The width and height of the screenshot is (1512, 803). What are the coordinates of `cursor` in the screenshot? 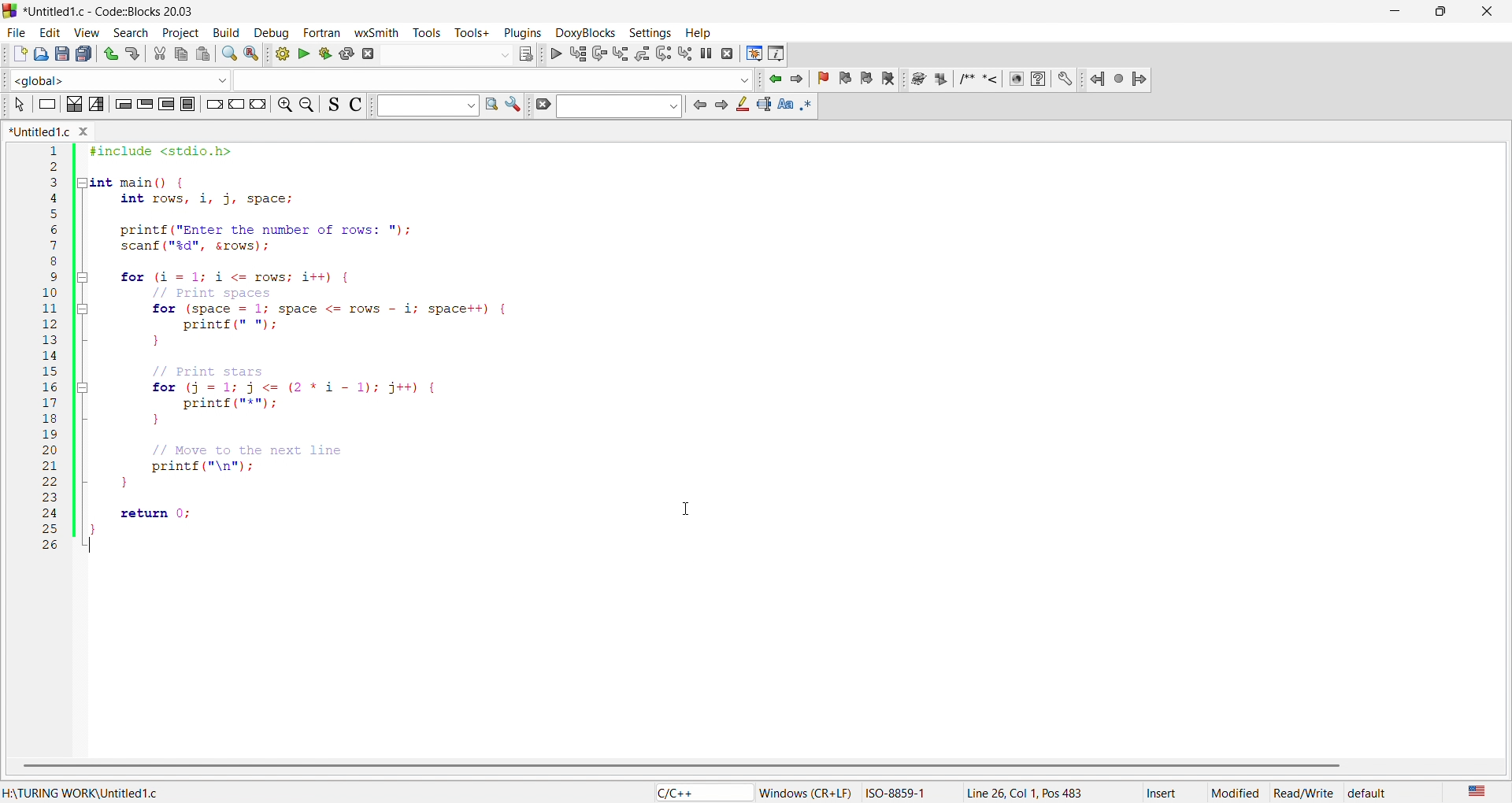 It's located at (692, 506).